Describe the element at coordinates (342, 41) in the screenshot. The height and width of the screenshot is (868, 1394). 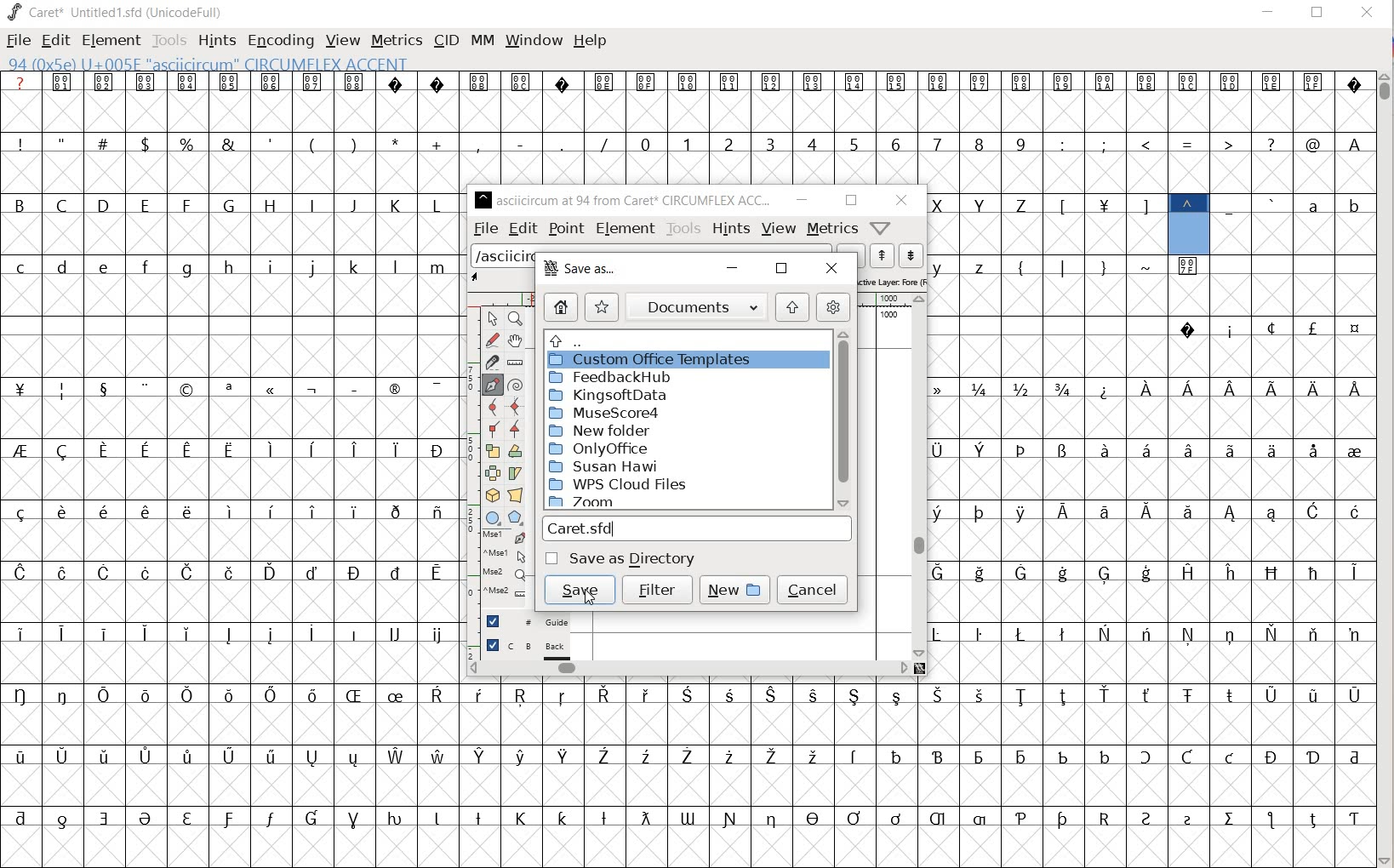
I see `VIEW` at that location.